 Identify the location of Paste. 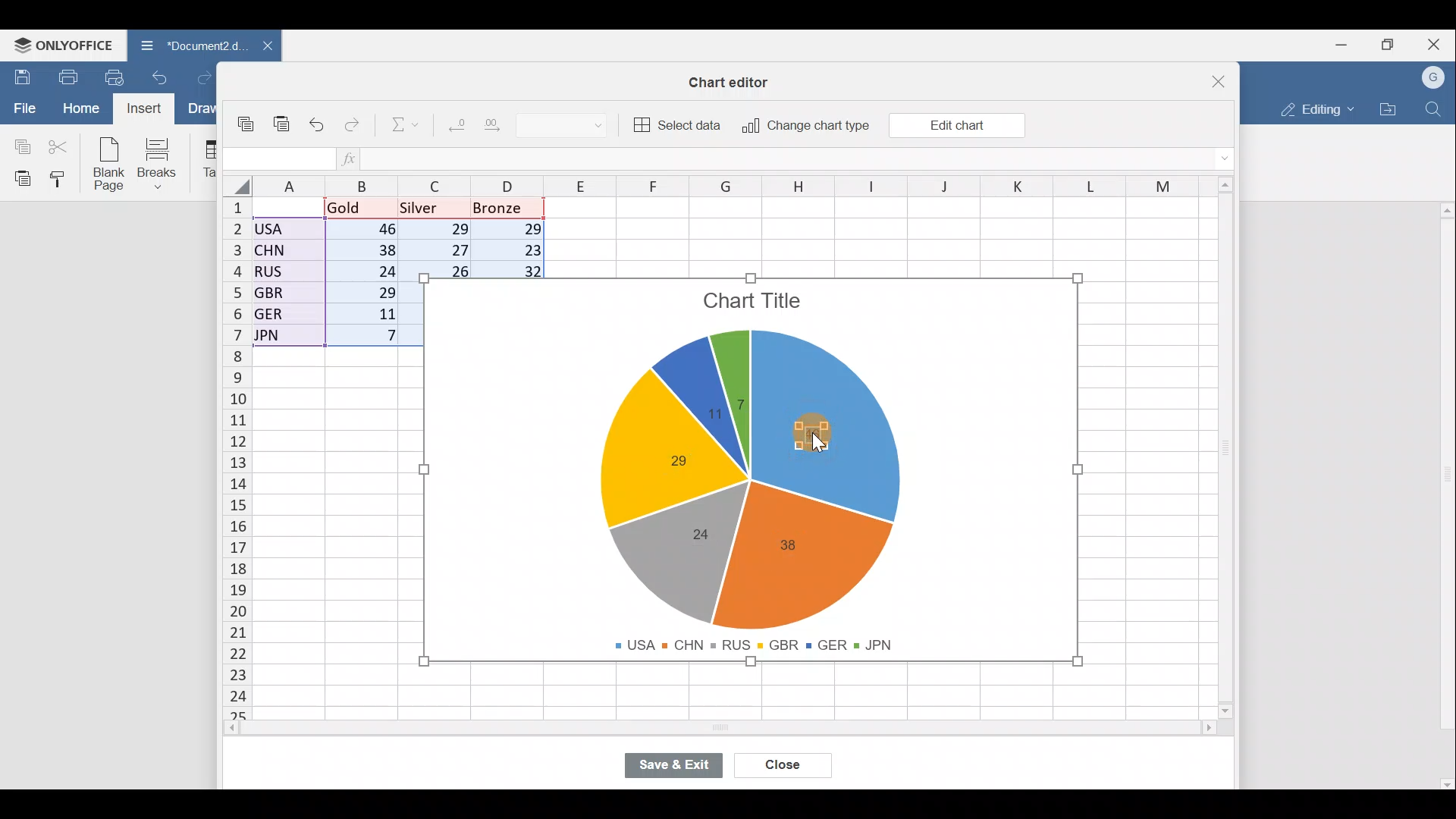
(283, 129).